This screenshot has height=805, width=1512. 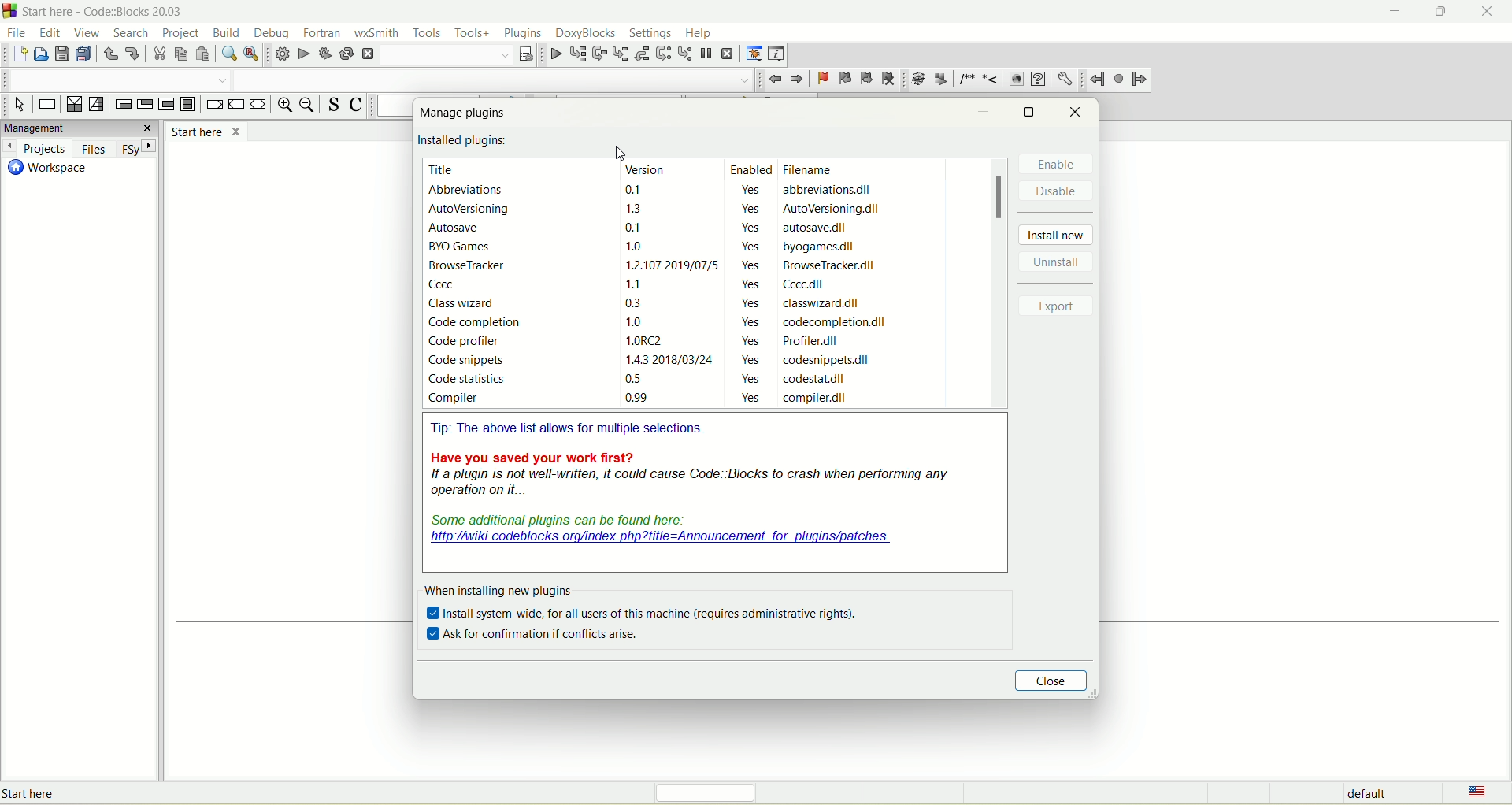 What do you see at coordinates (965, 80) in the screenshot?
I see `Insert comment block` at bounding box center [965, 80].